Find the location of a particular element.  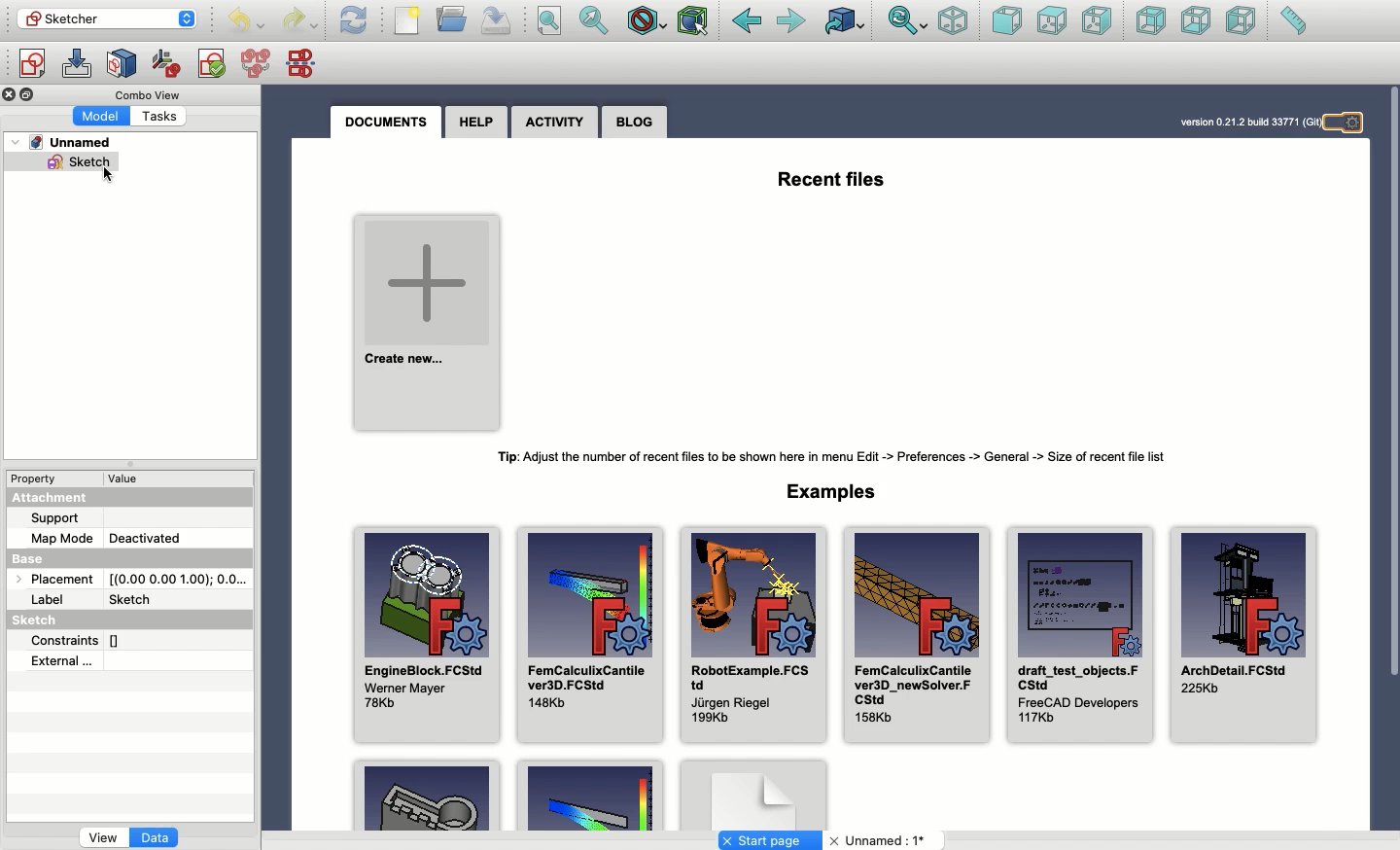

Recent files is located at coordinates (833, 177).